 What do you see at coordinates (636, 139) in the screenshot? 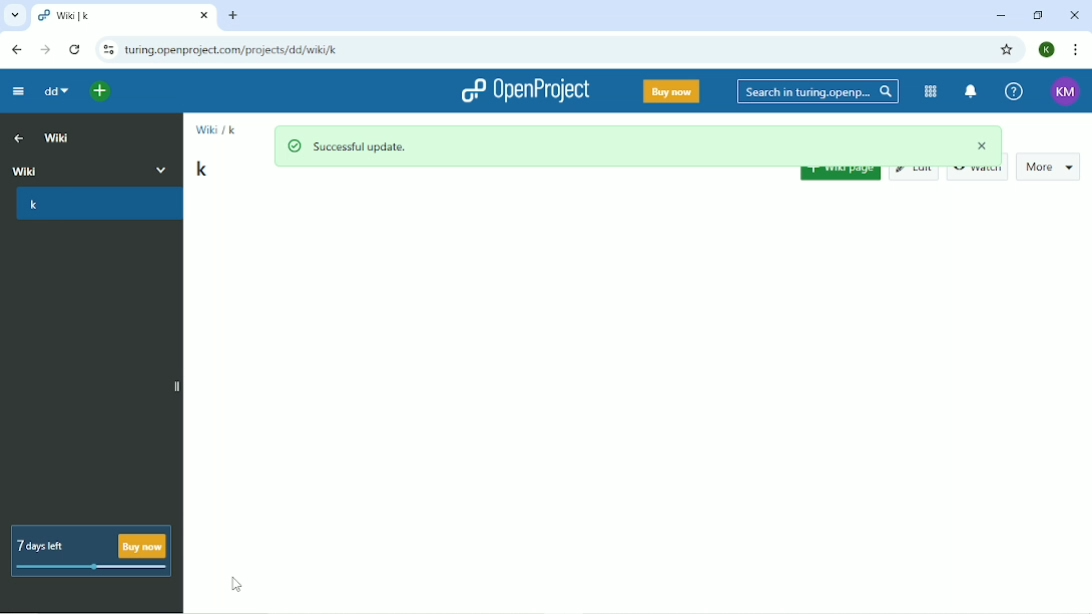
I see `Successful update.` at bounding box center [636, 139].